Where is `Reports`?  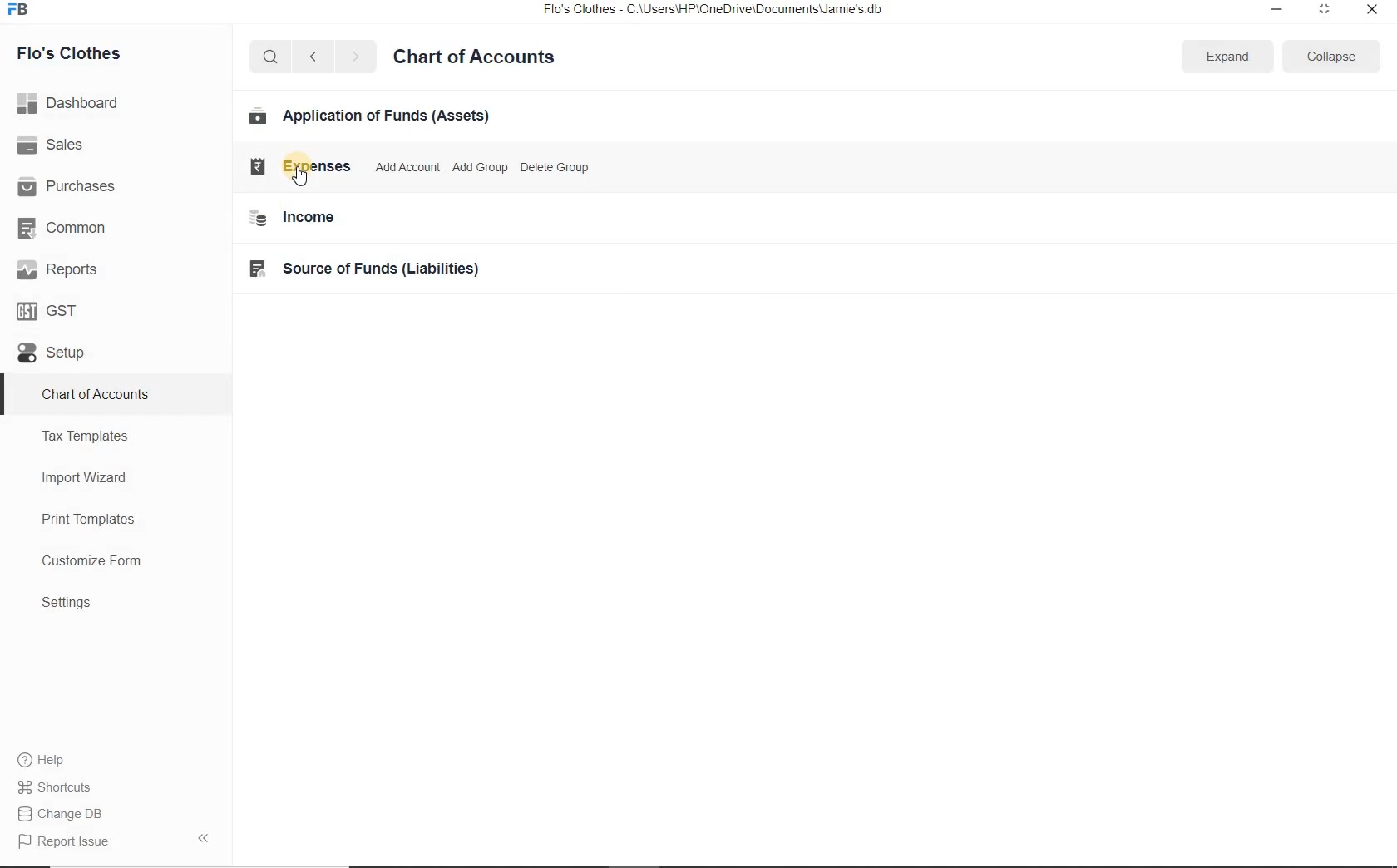
Reports is located at coordinates (57, 269).